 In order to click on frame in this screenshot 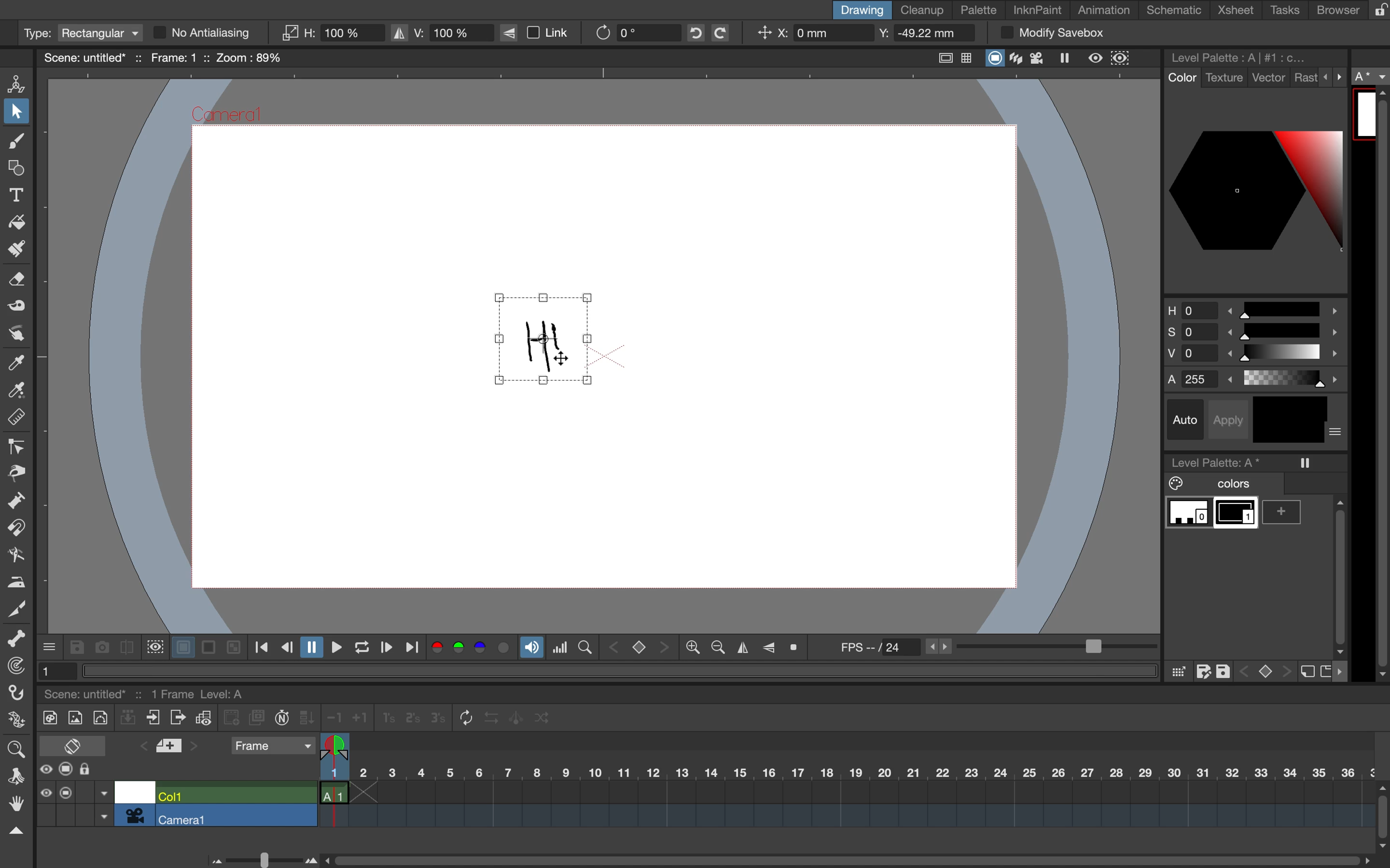, I will do `click(272, 747)`.